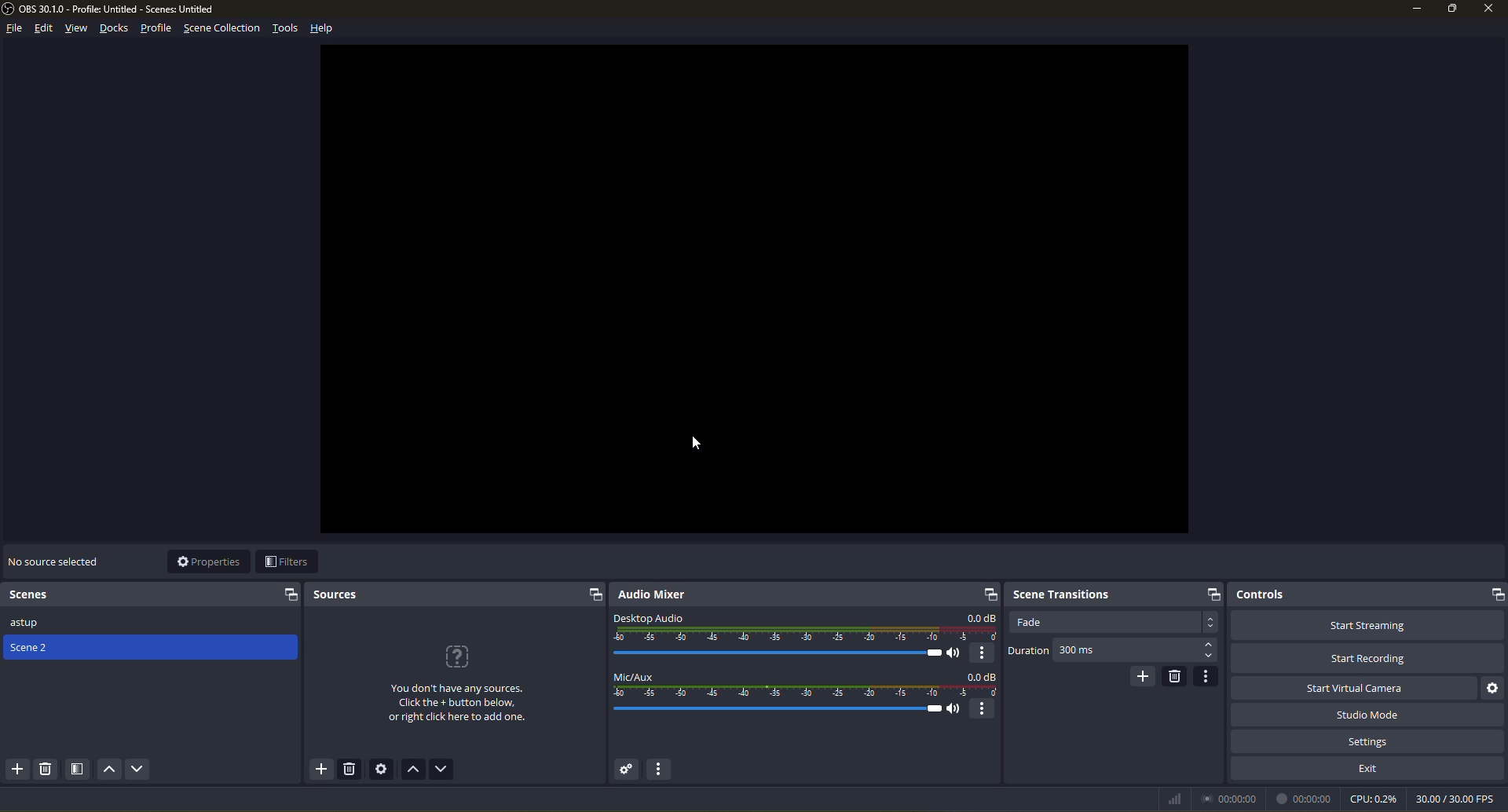 This screenshot has height=812, width=1508. Describe the element at coordinates (139, 768) in the screenshot. I see `move scene down` at that location.